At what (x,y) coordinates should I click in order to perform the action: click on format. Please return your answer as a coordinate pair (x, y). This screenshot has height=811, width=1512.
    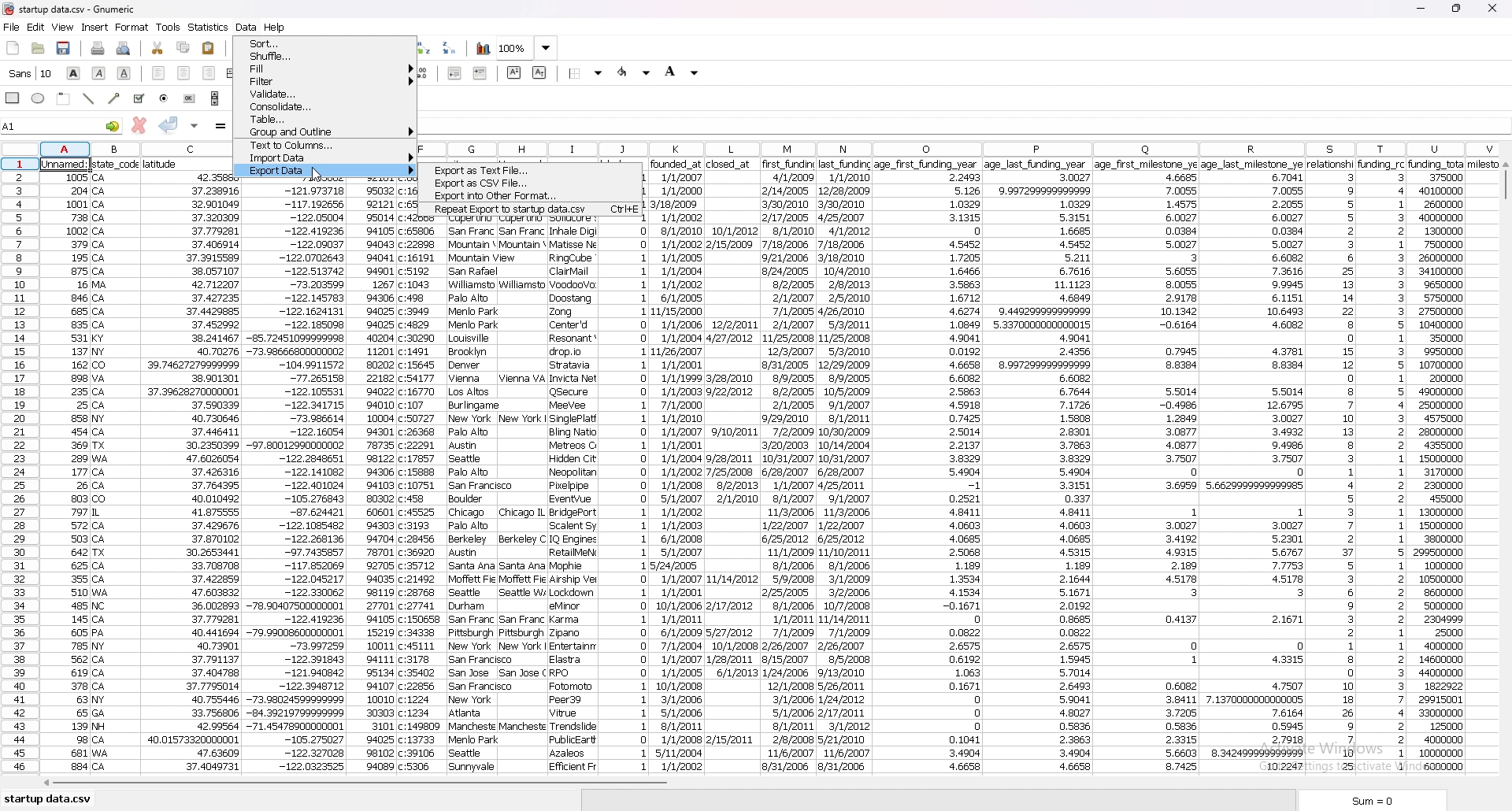
    Looking at the image, I should click on (133, 28).